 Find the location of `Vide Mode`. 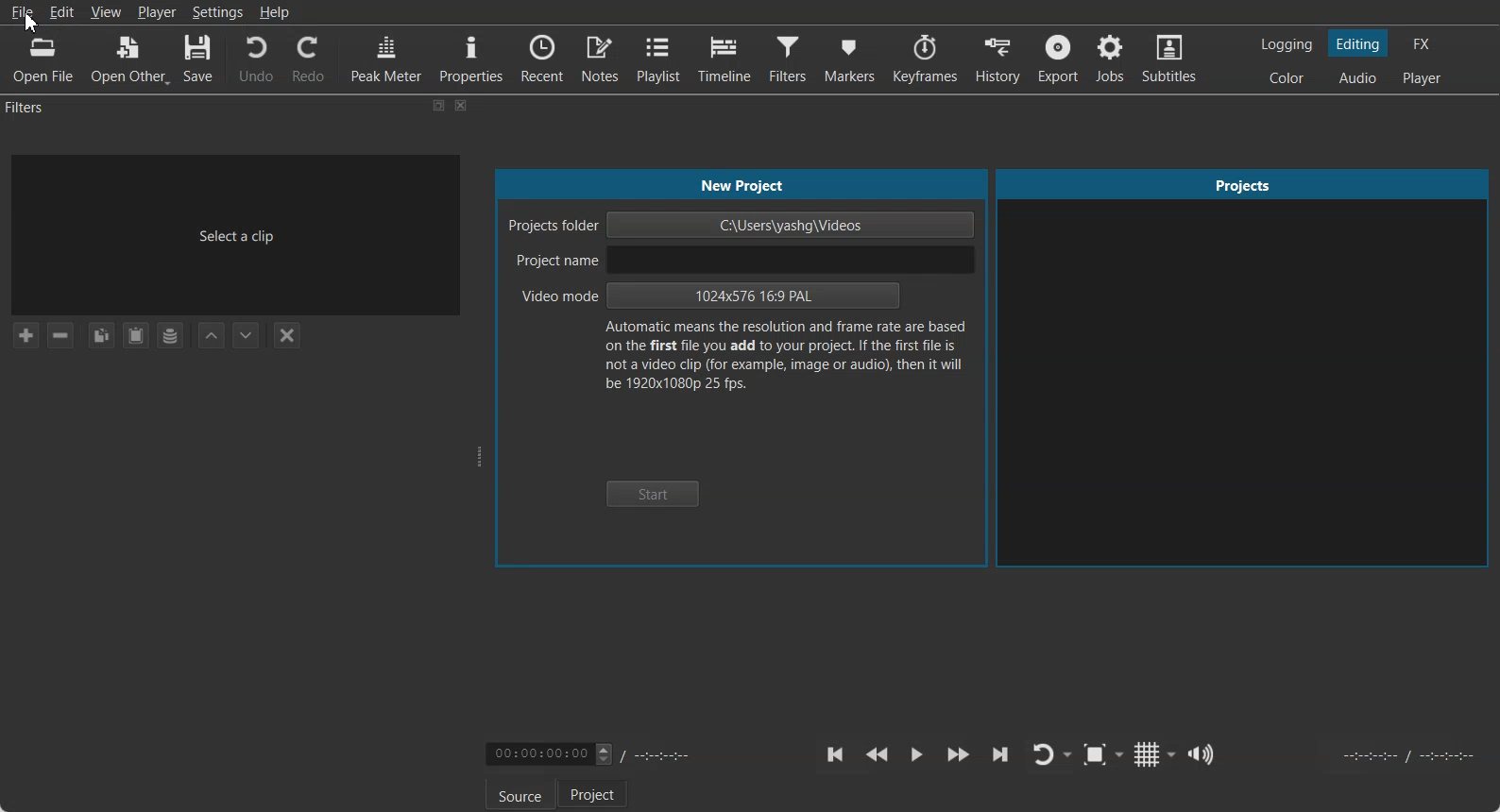

Vide Mode is located at coordinates (710, 297).